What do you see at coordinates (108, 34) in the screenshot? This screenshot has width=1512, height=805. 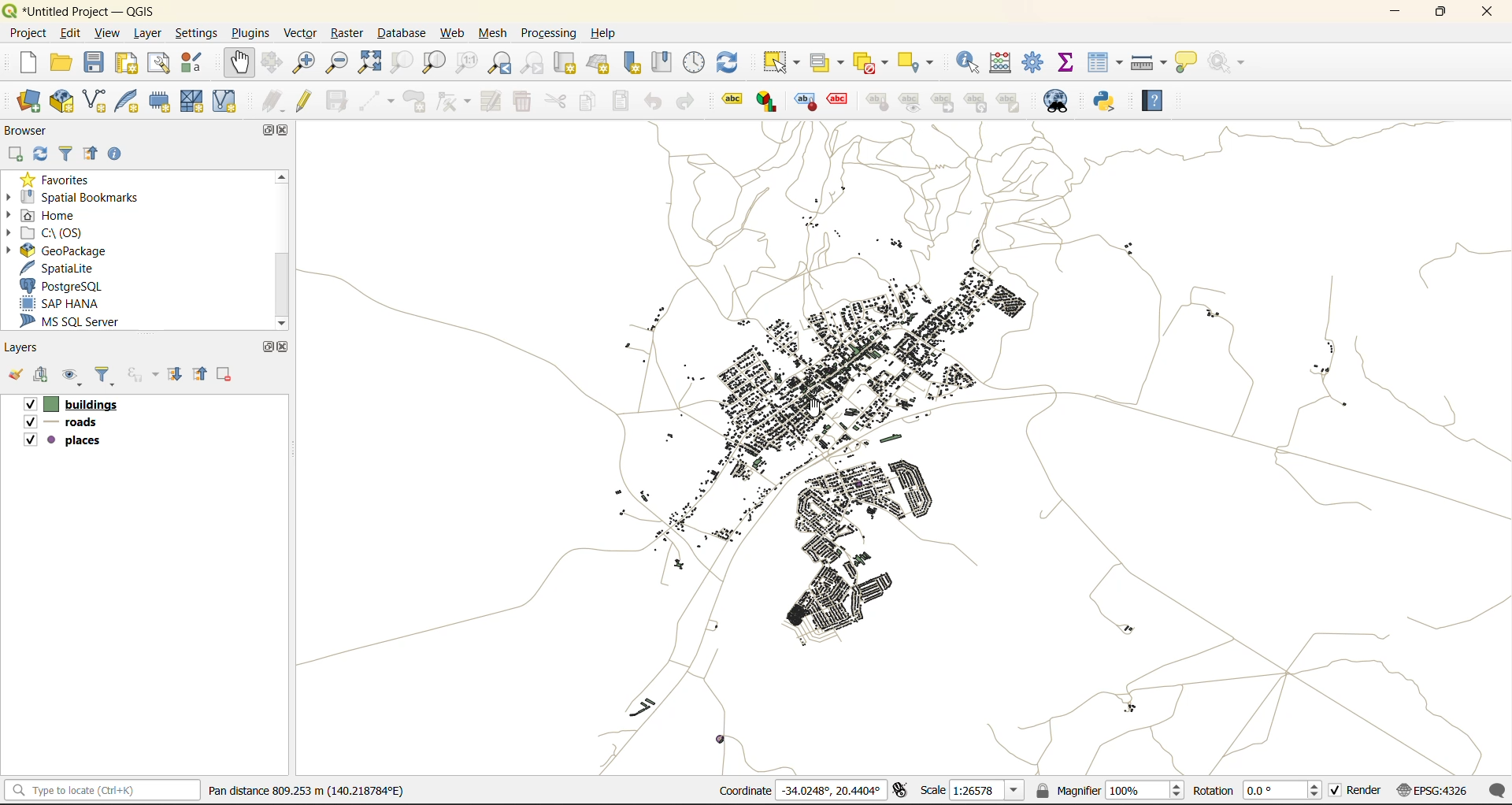 I see `view` at bounding box center [108, 34].